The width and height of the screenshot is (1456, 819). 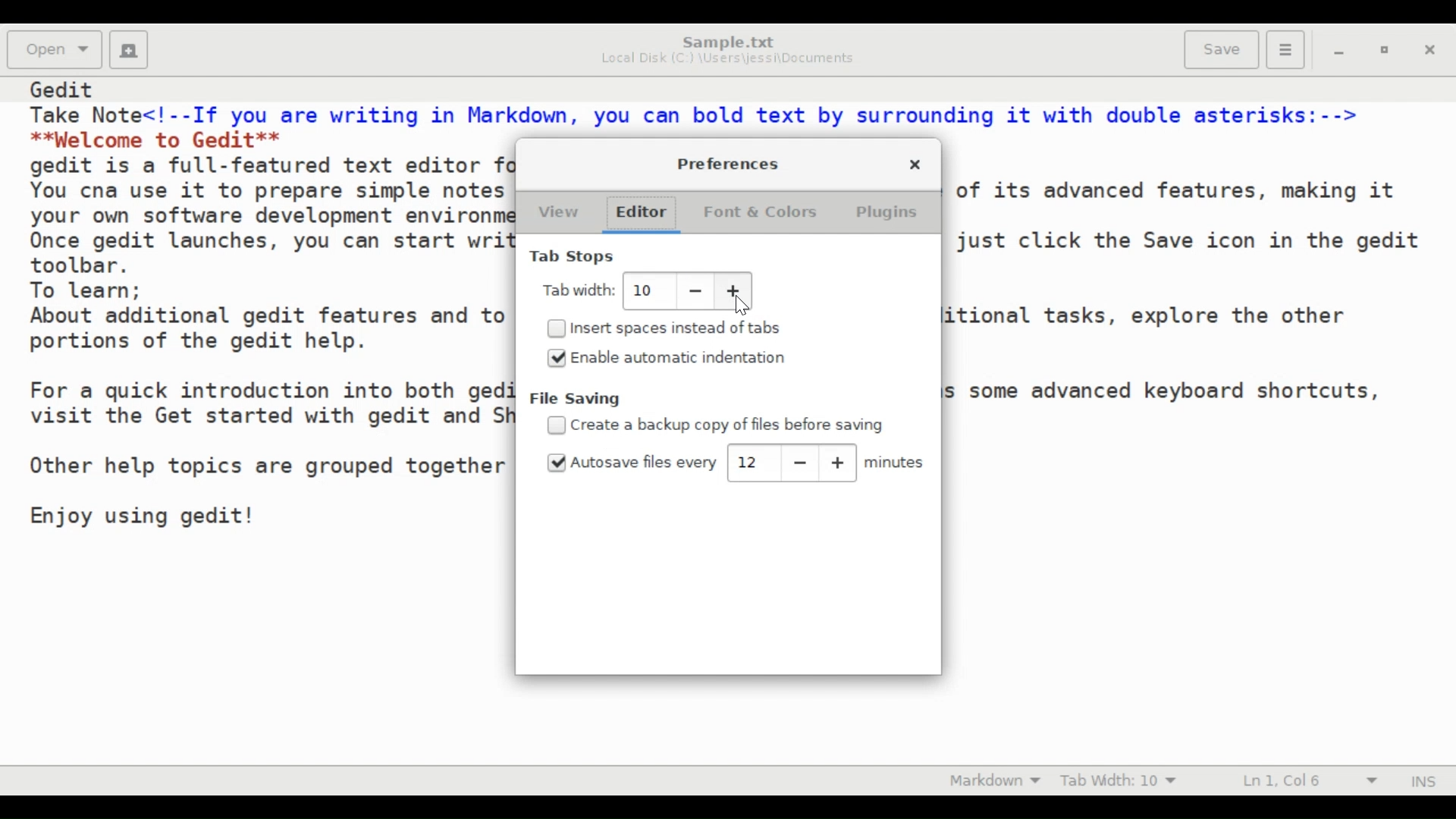 I want to click on Insert Mode, so click(x=1422, y=780).